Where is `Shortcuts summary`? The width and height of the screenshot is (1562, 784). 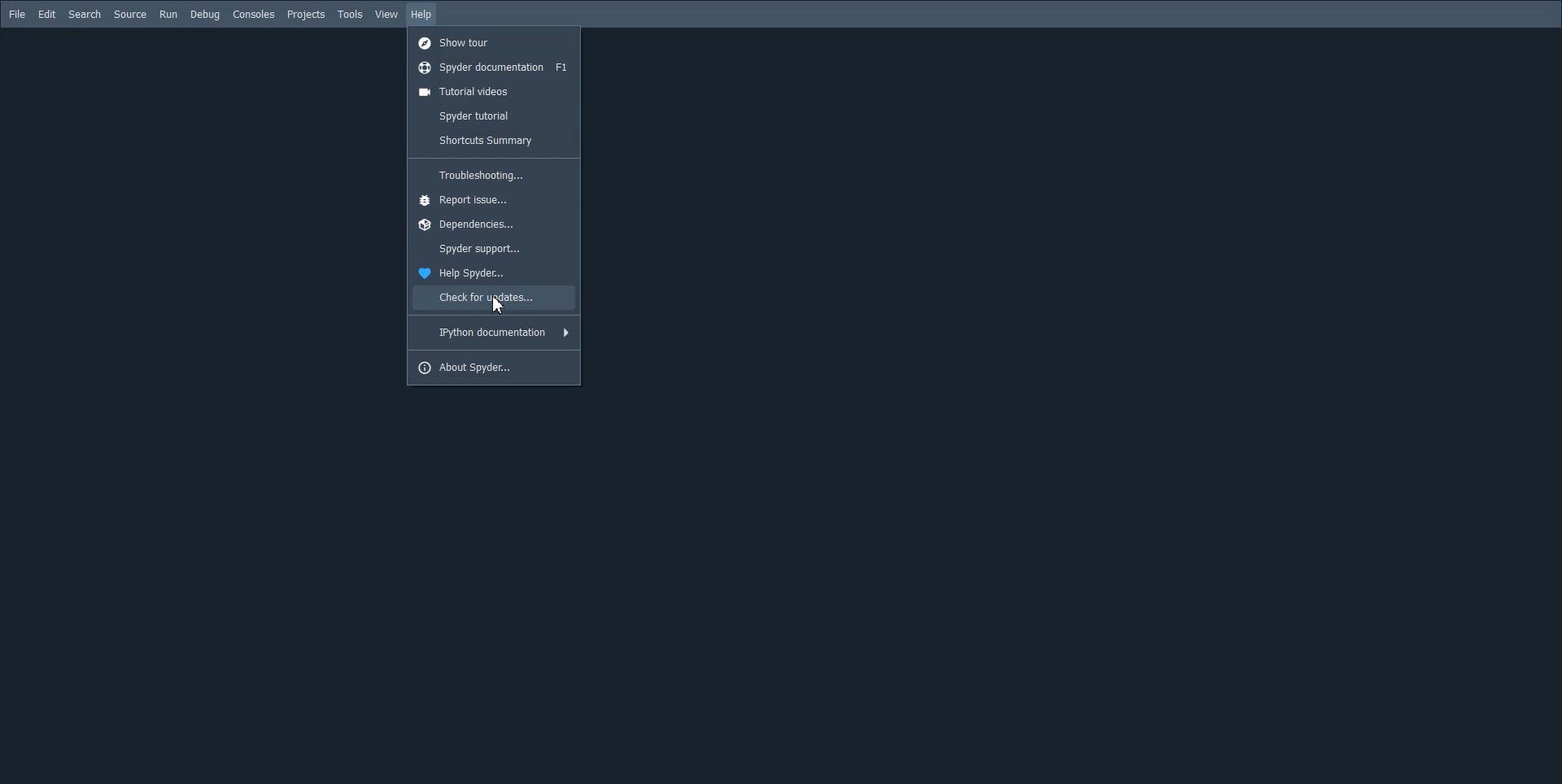 Shortcuts summary is located at coordinates (494, 142).